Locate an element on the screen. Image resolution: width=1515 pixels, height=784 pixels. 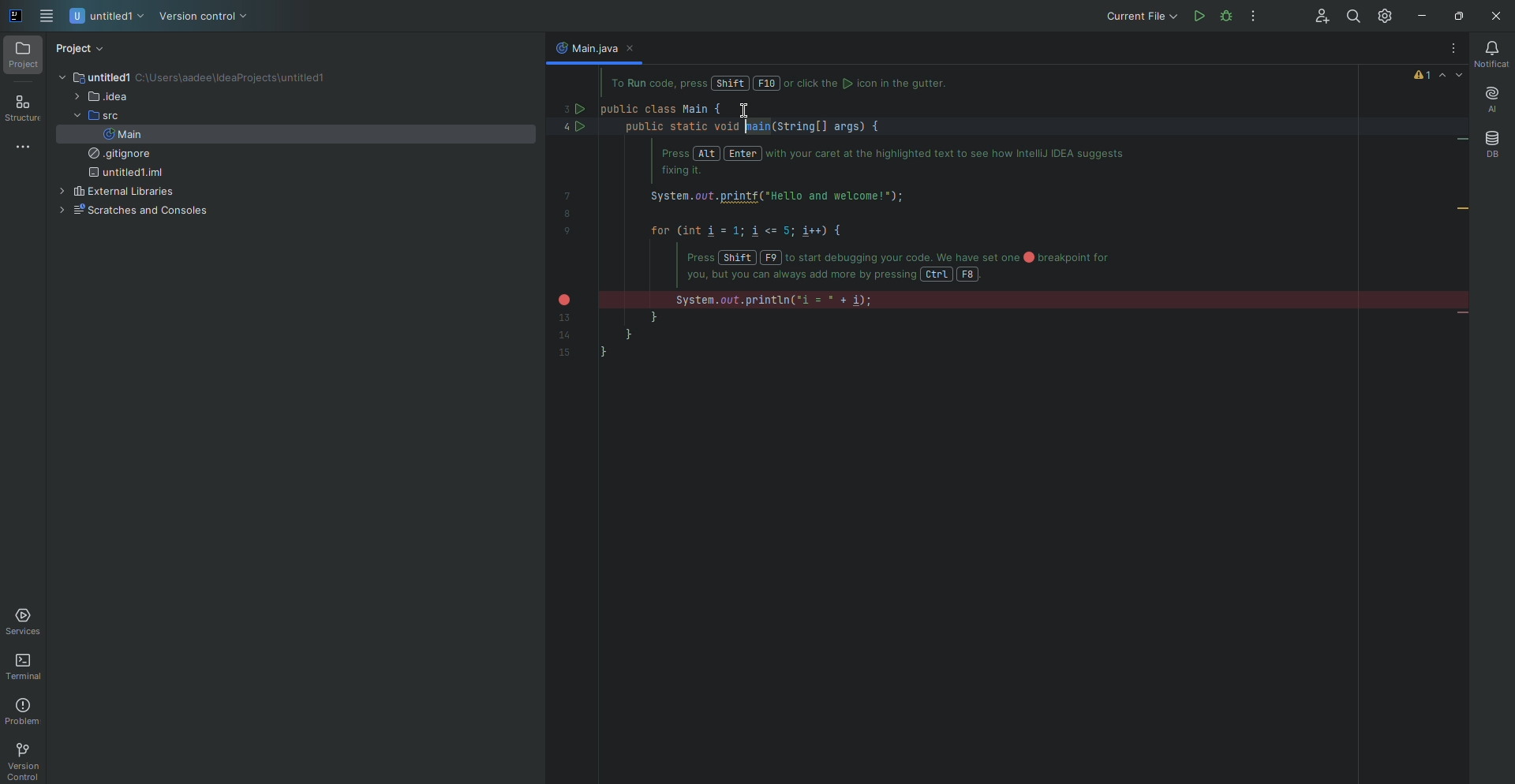
path is located at coordinates (235, 79).